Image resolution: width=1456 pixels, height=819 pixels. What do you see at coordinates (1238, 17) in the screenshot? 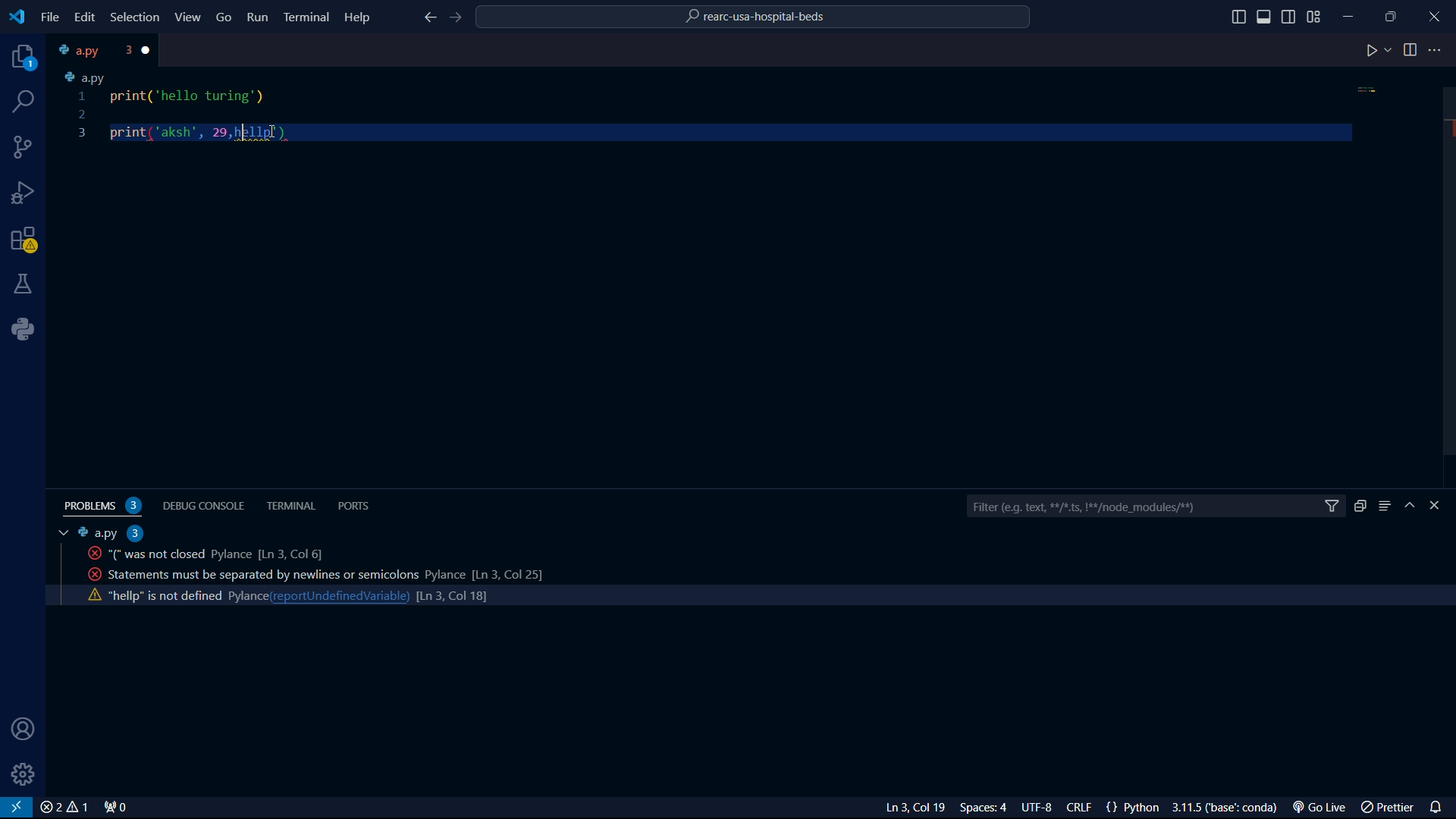
I see `toggle sidebar` at bounding box center [1238, 17].